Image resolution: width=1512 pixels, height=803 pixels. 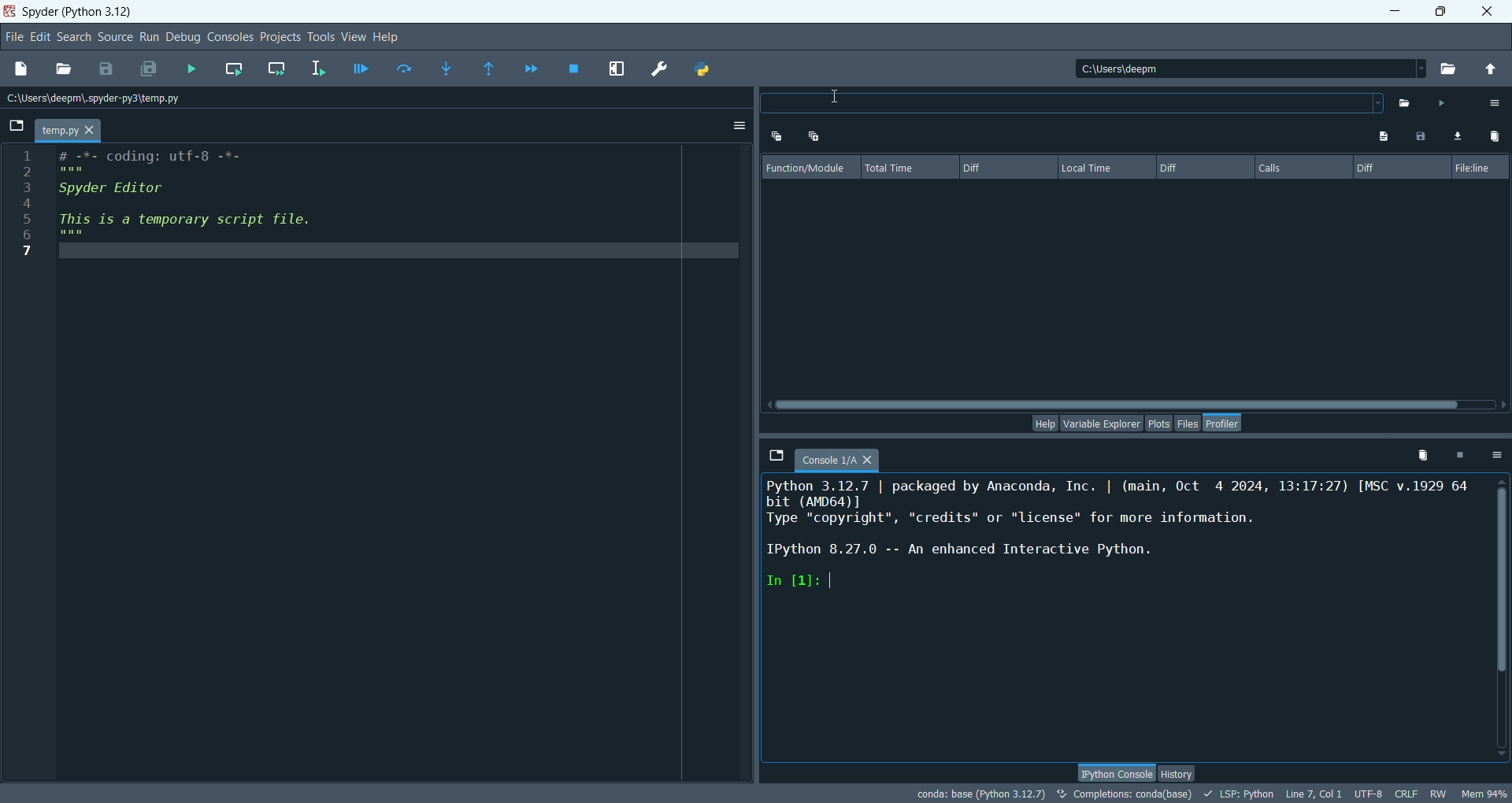 What do you see at coordinates (183, 39) in the screenshot?
I see `debug` at bounding box center [183, 39].